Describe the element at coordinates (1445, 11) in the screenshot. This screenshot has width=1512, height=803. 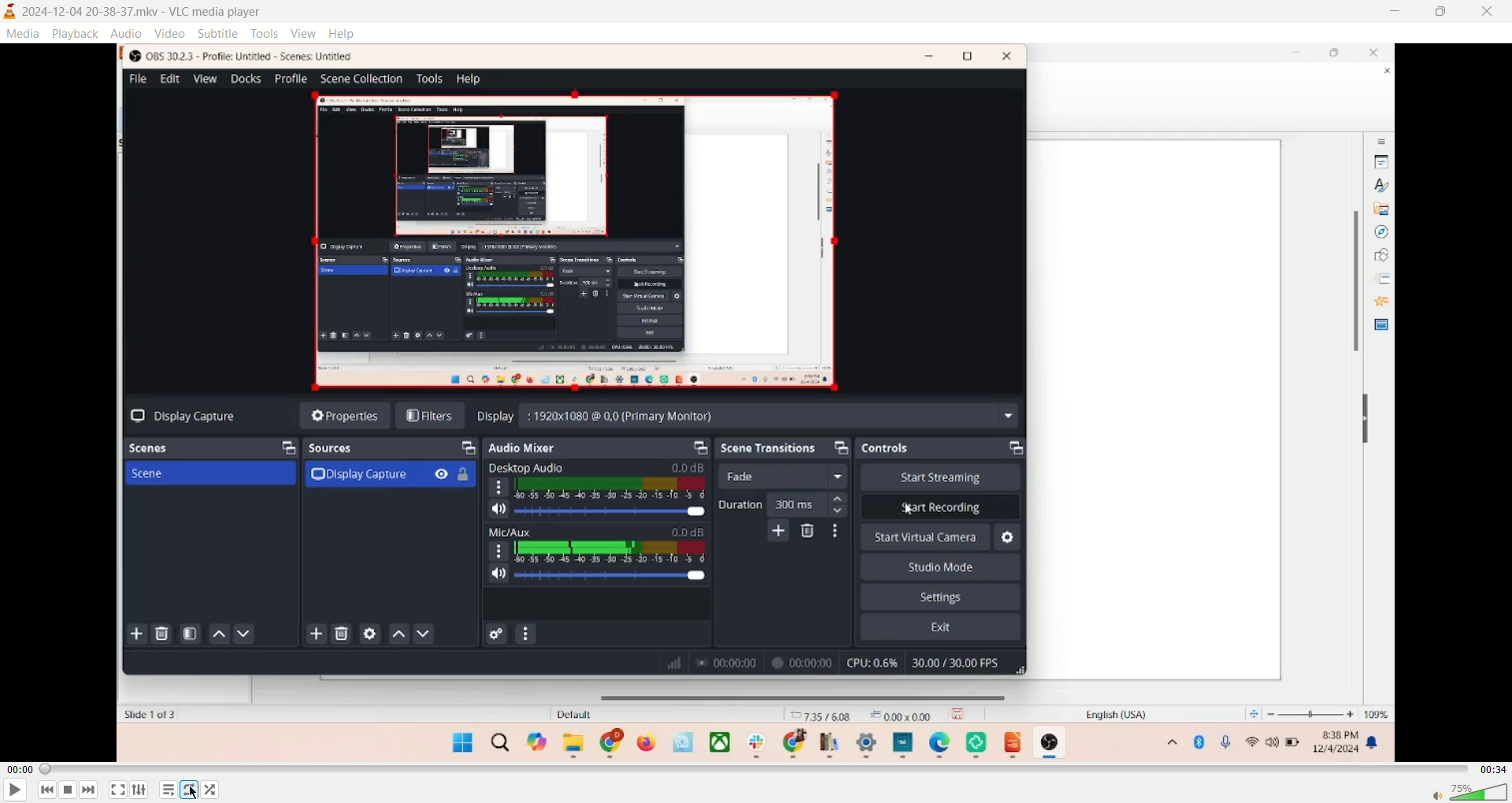
I see `maximize` at that location.